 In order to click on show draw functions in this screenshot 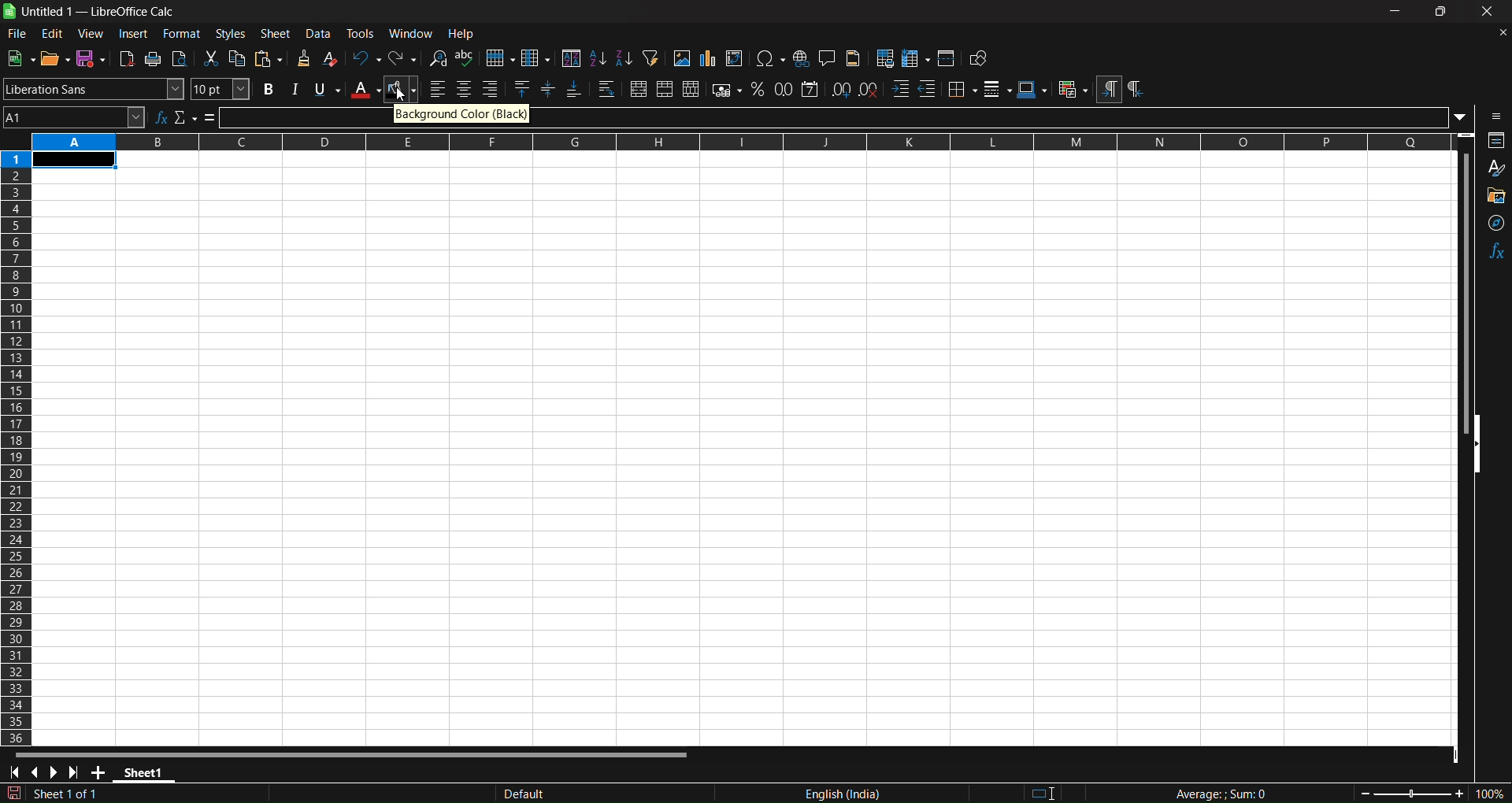, I will do `click(980, 59)`.